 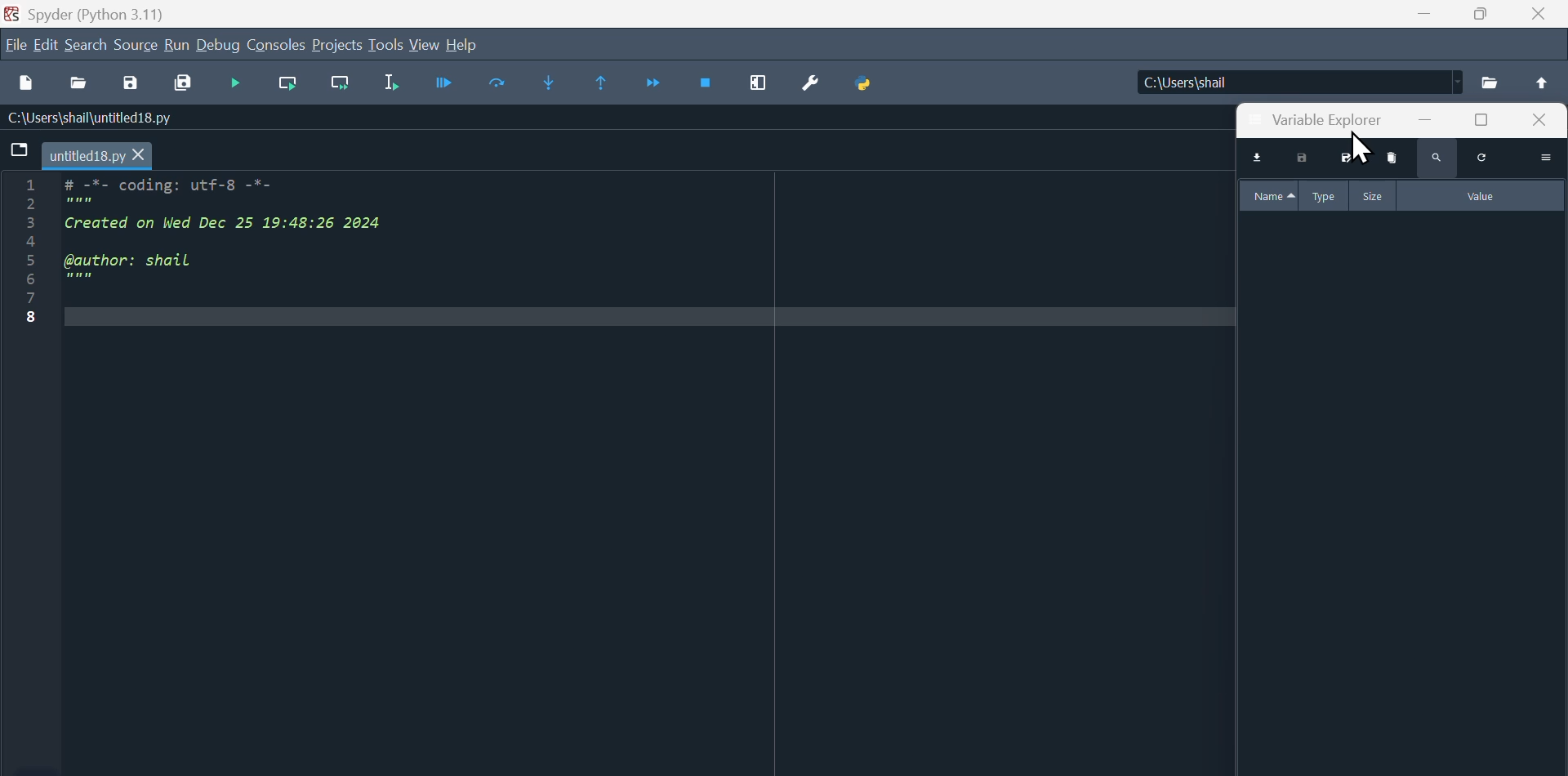 What do you see at coordinates (1547, 81) in the screenshot?
I see `icon` at bounding box center [1547, 81].